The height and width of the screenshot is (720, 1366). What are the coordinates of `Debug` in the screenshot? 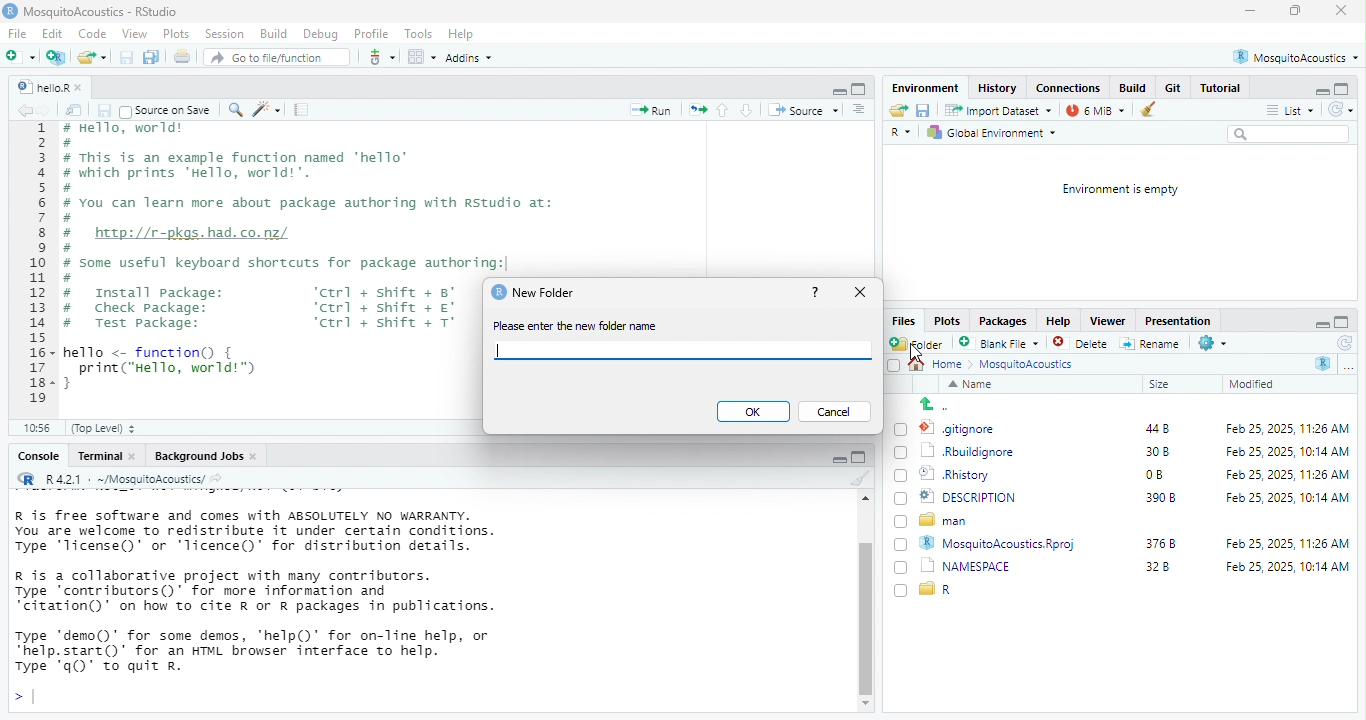 It's located at (321, 33).